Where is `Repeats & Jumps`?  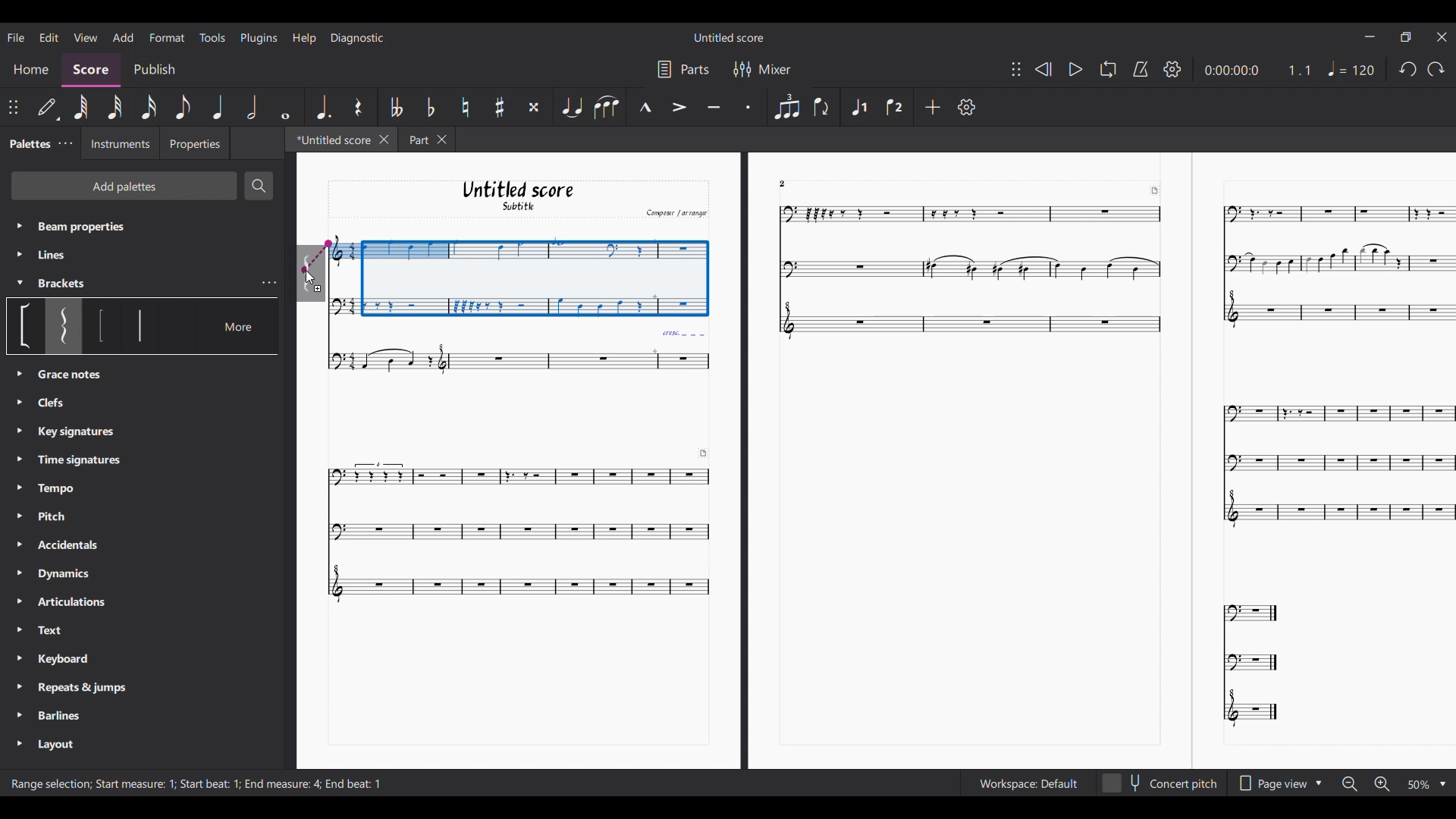
Repeats & Jumps is located at coordinates (82, 687).